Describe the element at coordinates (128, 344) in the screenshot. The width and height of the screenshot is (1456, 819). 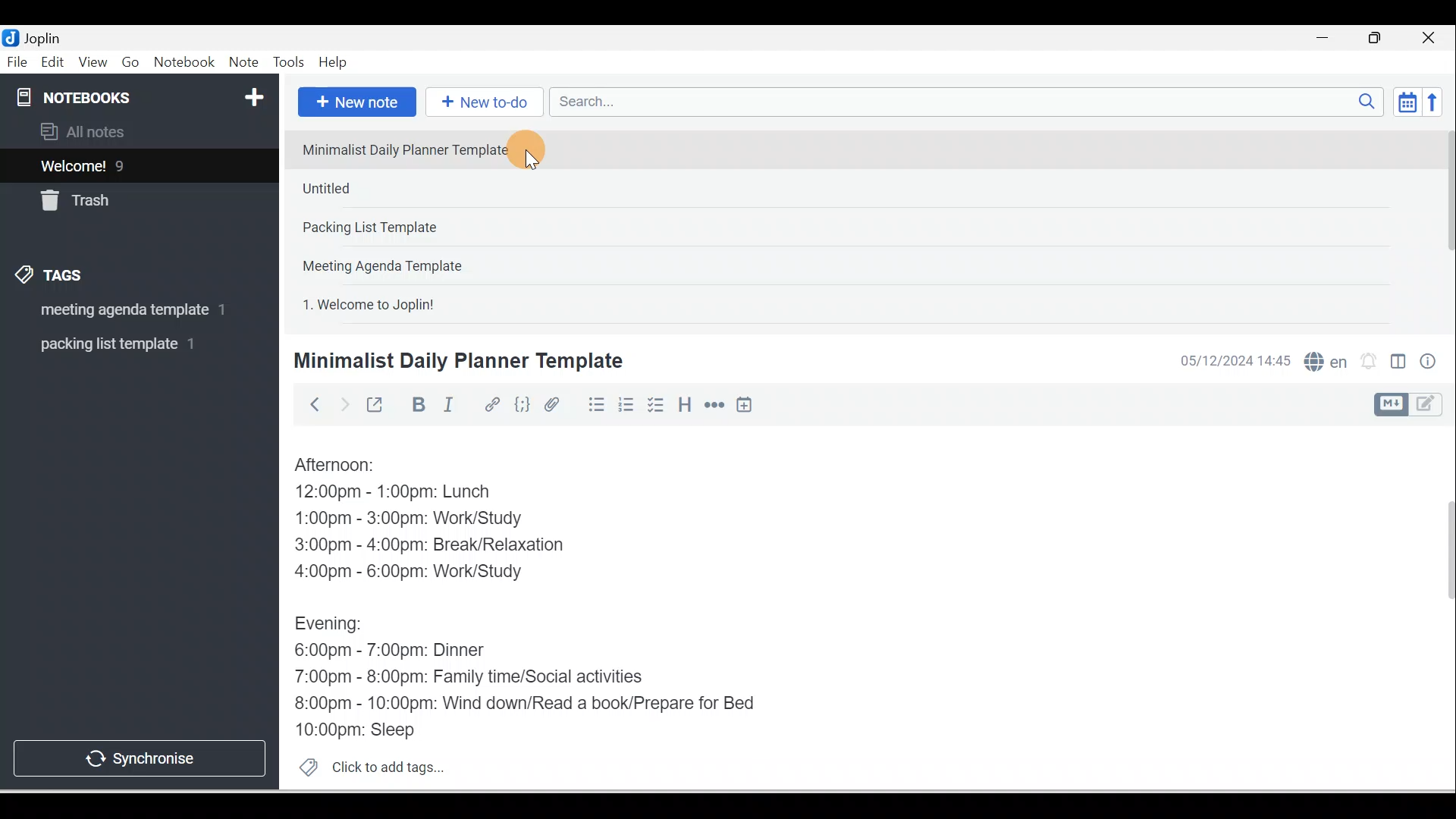
I see `Tag 2` at that location.